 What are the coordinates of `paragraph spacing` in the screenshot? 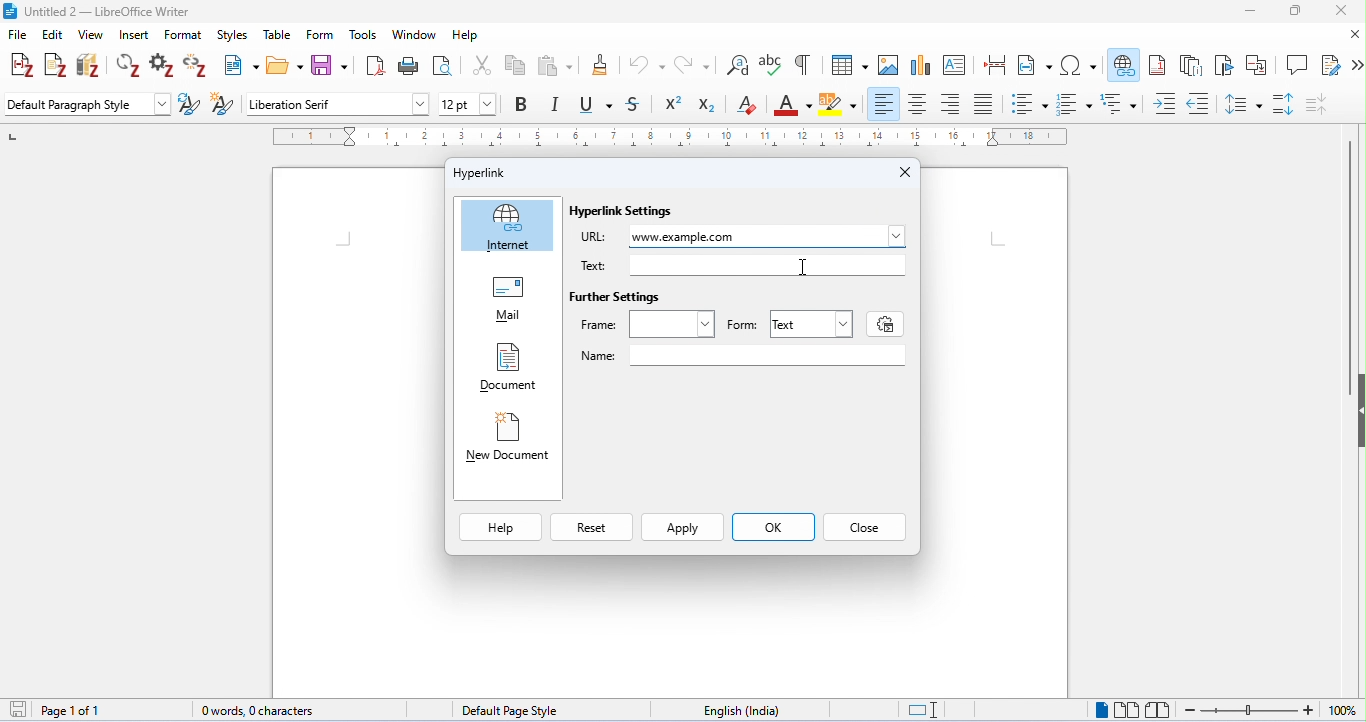 It's located at (1285, 104).